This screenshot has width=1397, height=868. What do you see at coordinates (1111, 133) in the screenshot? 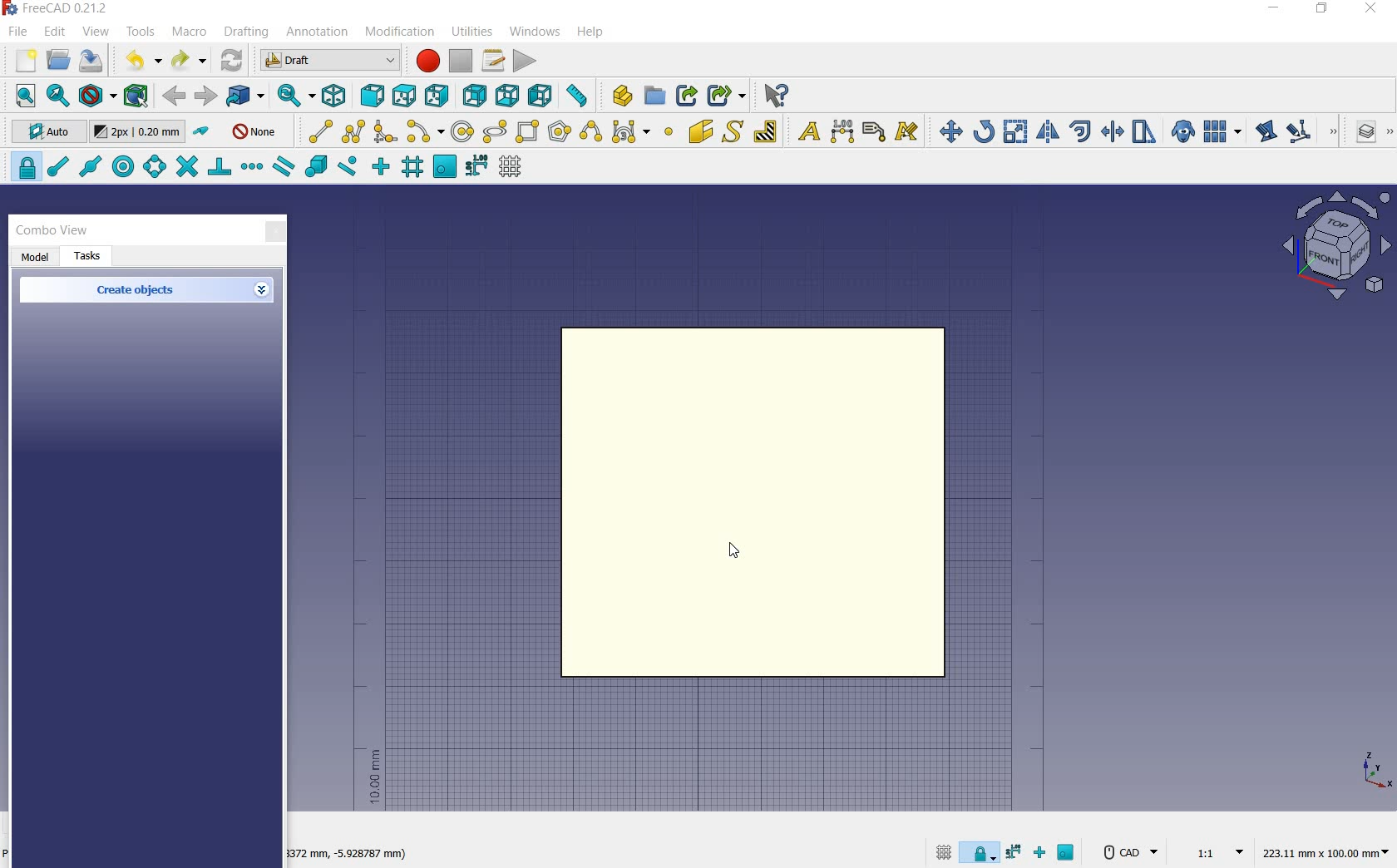
I see `trimex` at bounding box center [1111, 133].